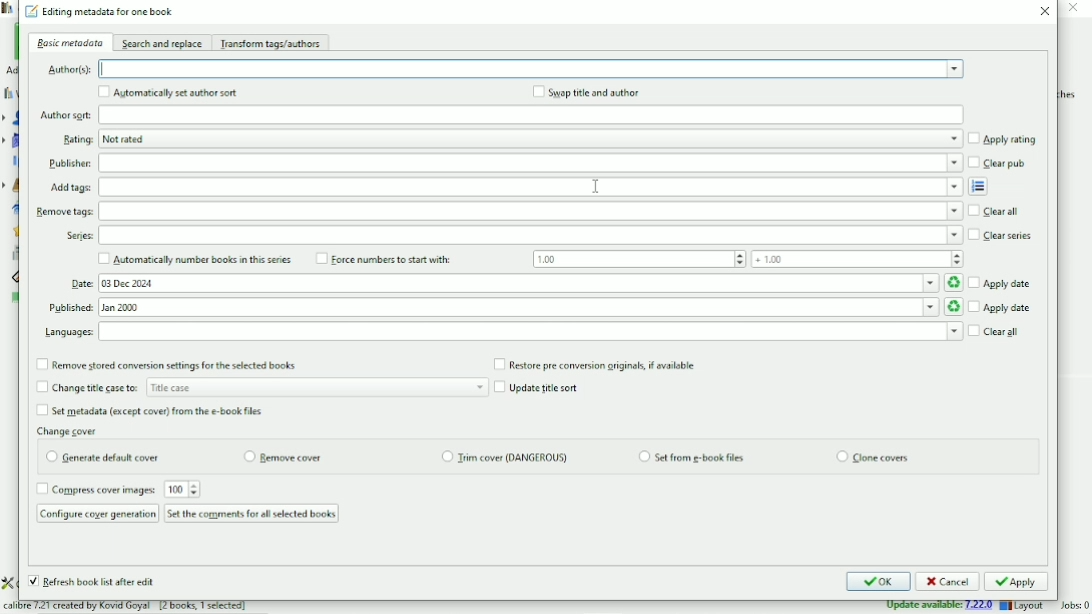 This screenshot has width=1092, height=614. What do you see at coordinates (284, 459) in the screenshot?
I see `remove cover radio button` at bounding box center [284, 459].